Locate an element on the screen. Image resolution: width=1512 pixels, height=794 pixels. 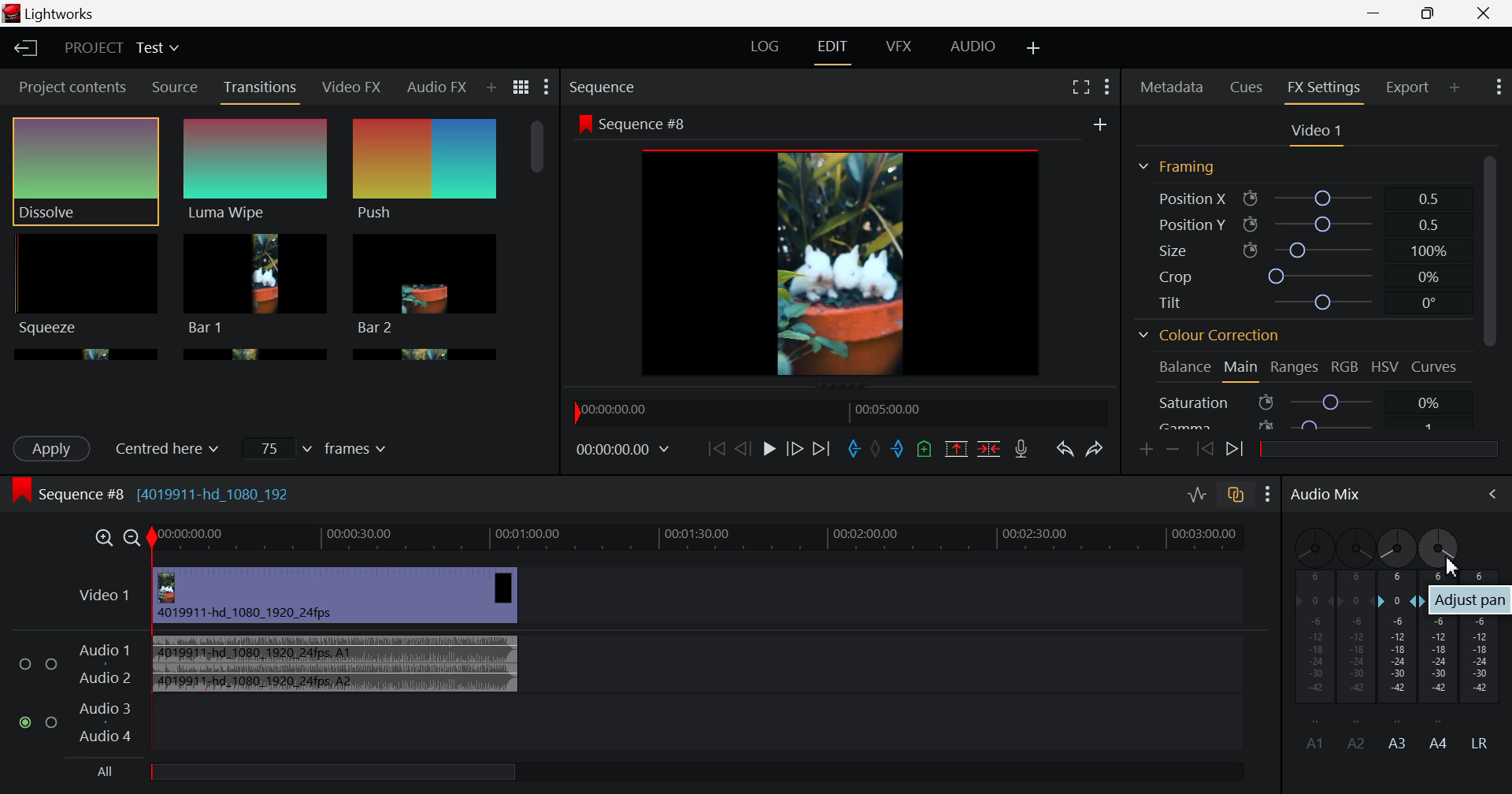
DRAG_TO Cursor Adjusted Pan to Left is located at coordinates (1395, 550).